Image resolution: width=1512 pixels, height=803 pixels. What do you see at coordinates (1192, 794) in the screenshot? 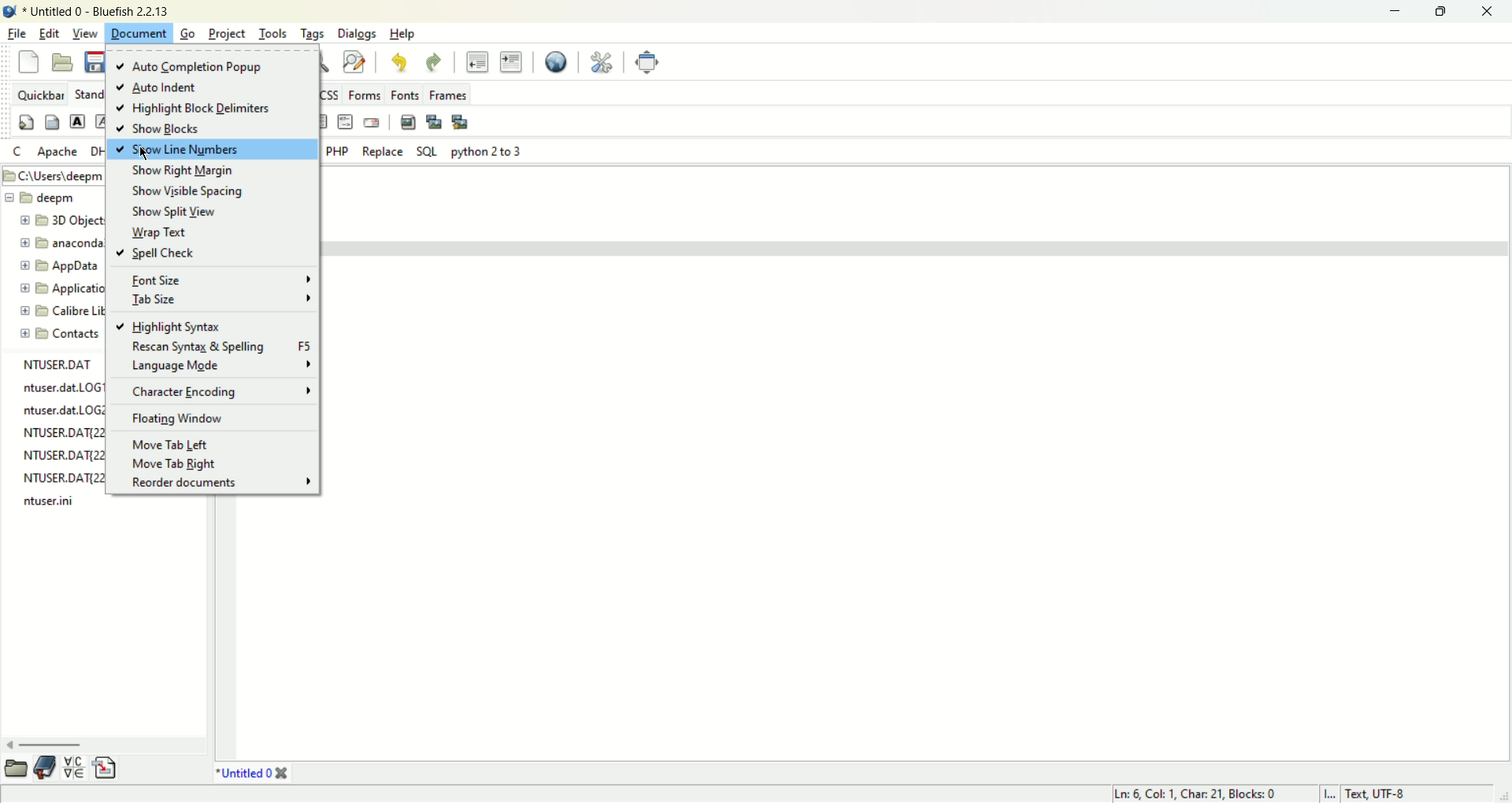
I see `ln, col, char, blocks` at bounding box center [1192, 794].